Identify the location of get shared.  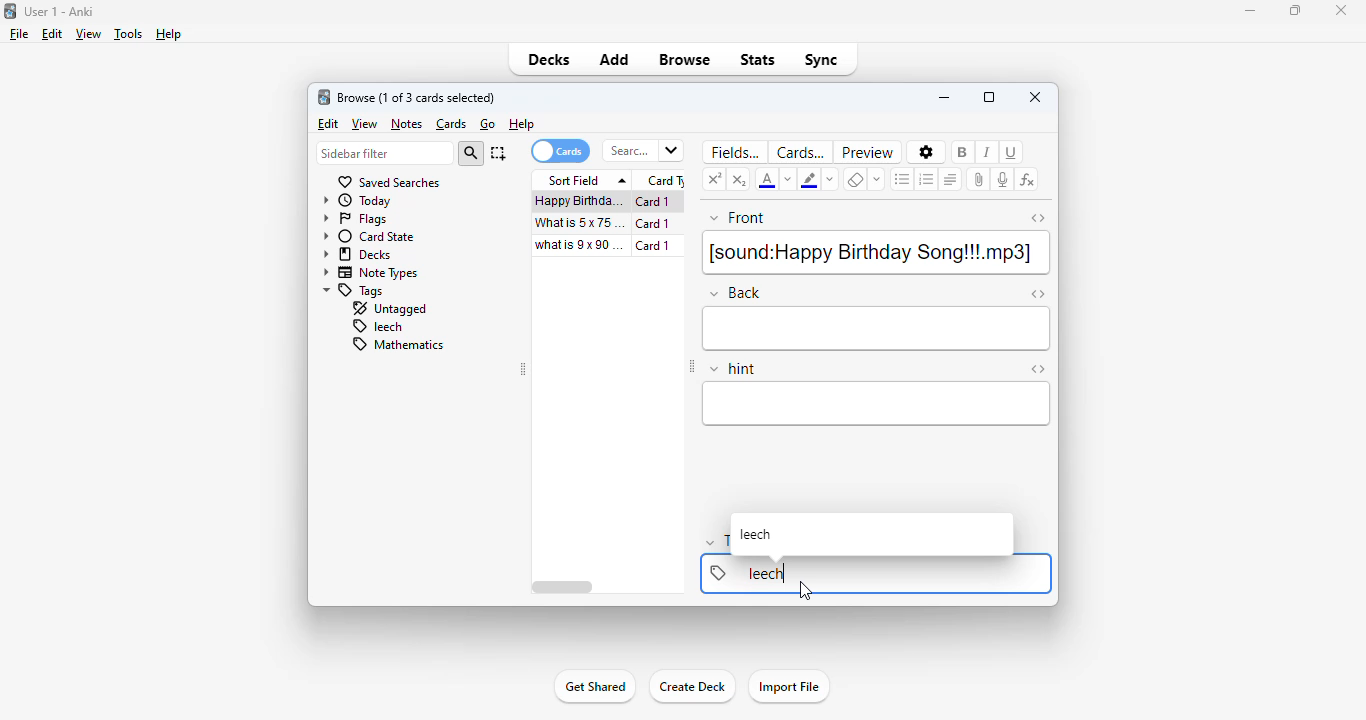
(594, 687).